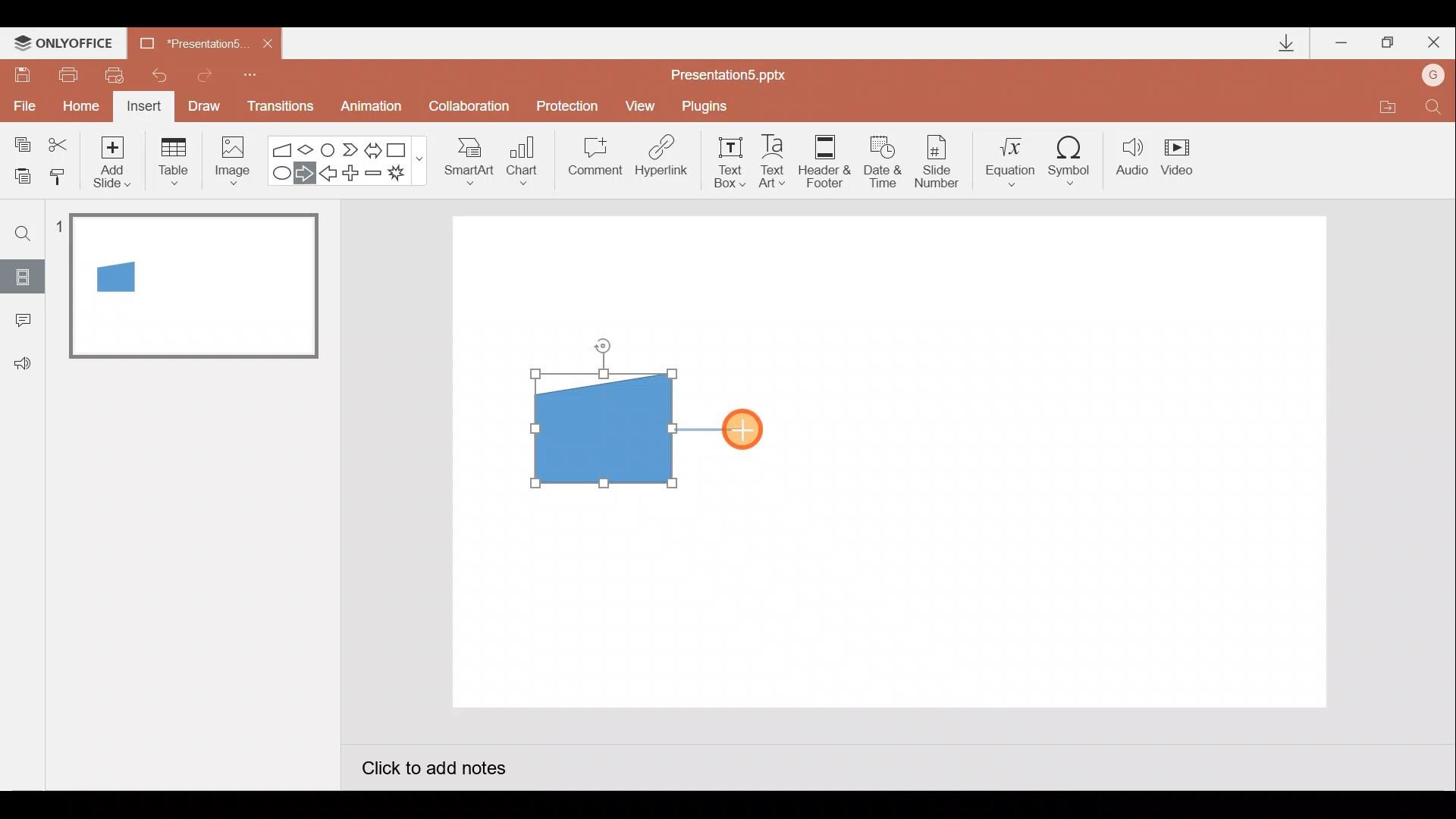 This screenshot has height=819, width=1456. What do you see at coordinates (709, 429) in the screenshot?
I see `Arrow` at bounding box center [709, 429].